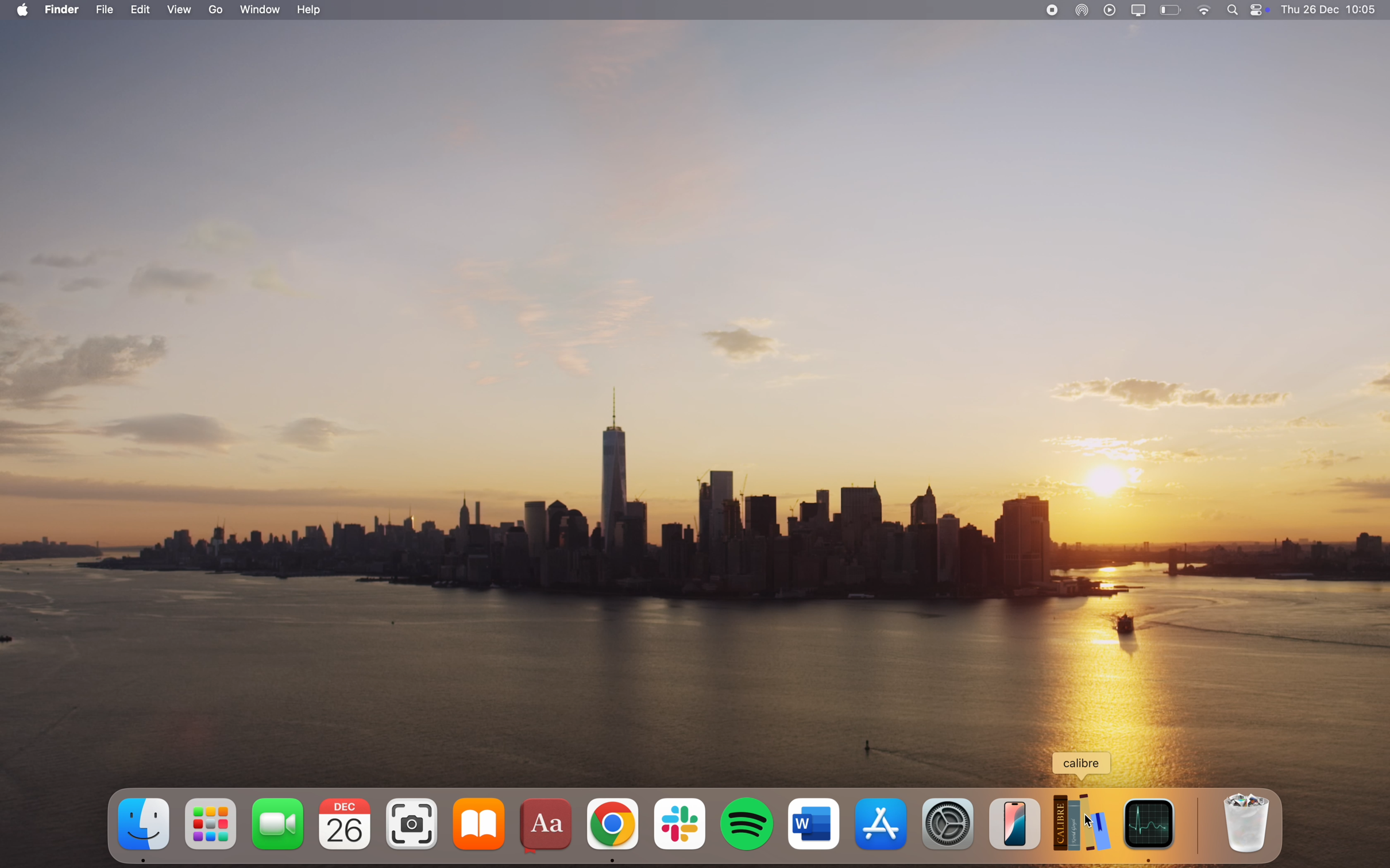 The height and width of the screenshot is (868, 1390). What do you see at coordinates (480, 824) in the screenshot?
I see `iBooks` at bounding box center [480, 824].